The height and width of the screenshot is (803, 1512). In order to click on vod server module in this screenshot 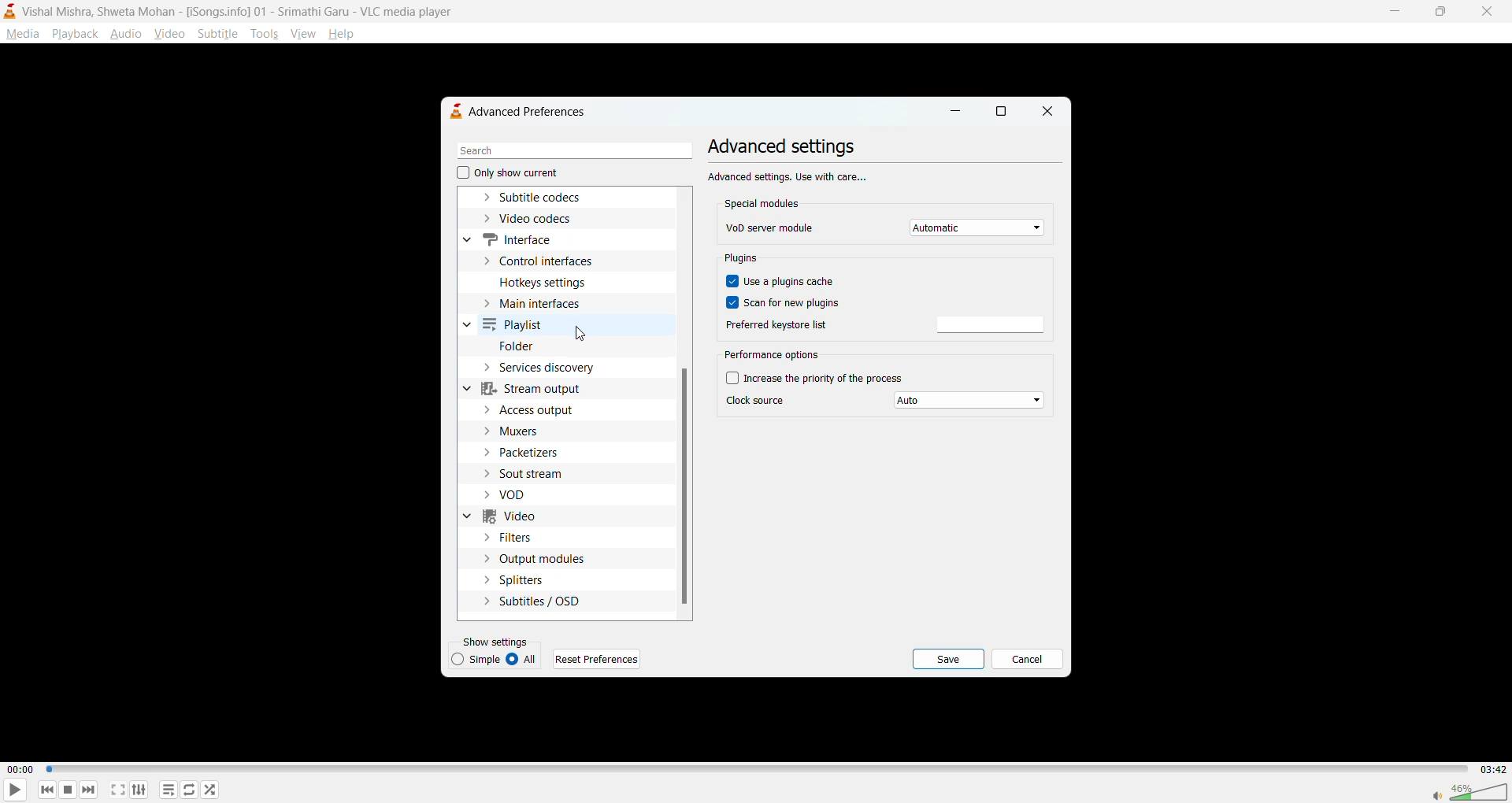, I will do `click(769, 228)`.